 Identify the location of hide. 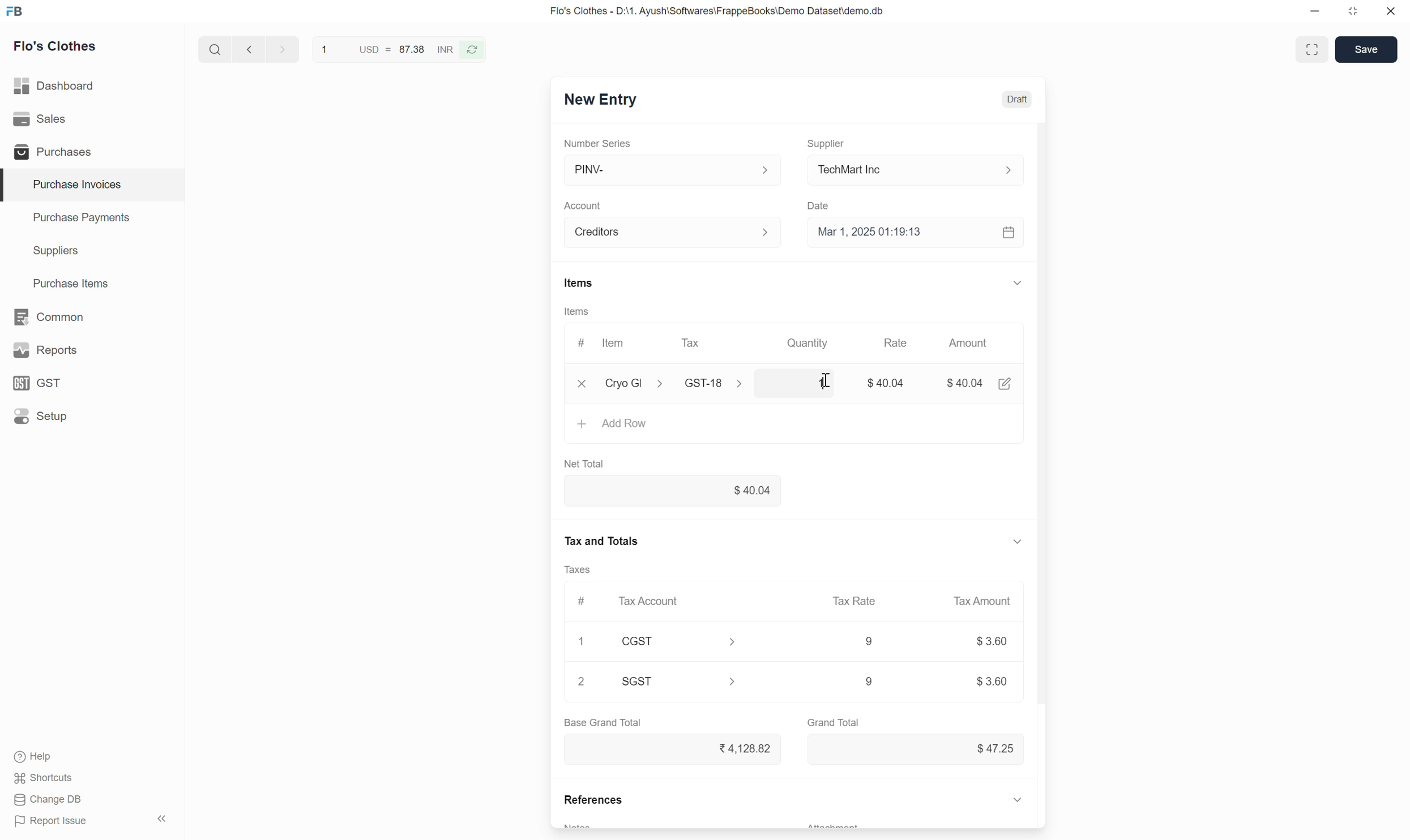
(160, 817).